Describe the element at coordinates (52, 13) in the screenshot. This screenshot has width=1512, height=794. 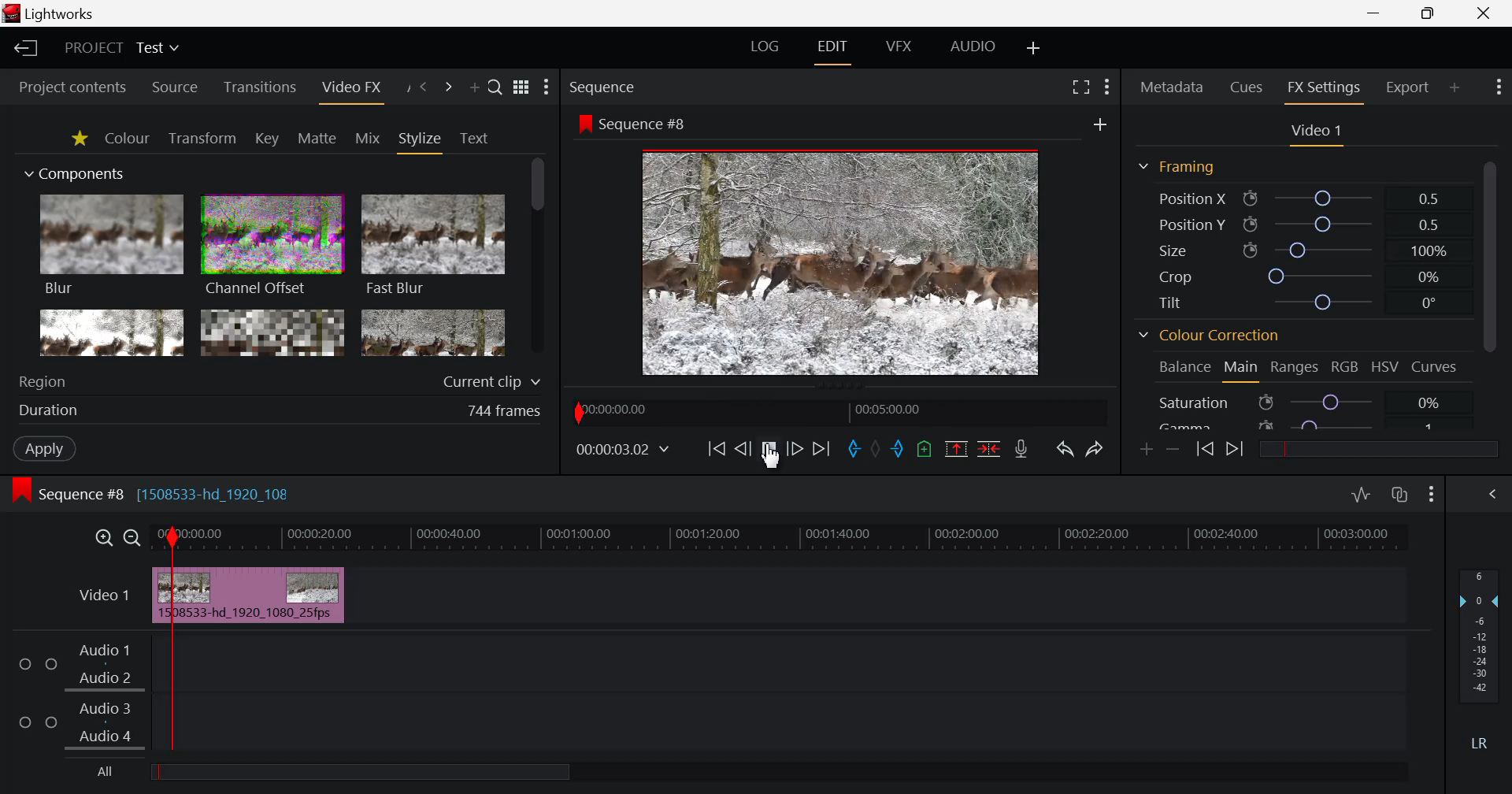
I see `Lightworks` at that location.